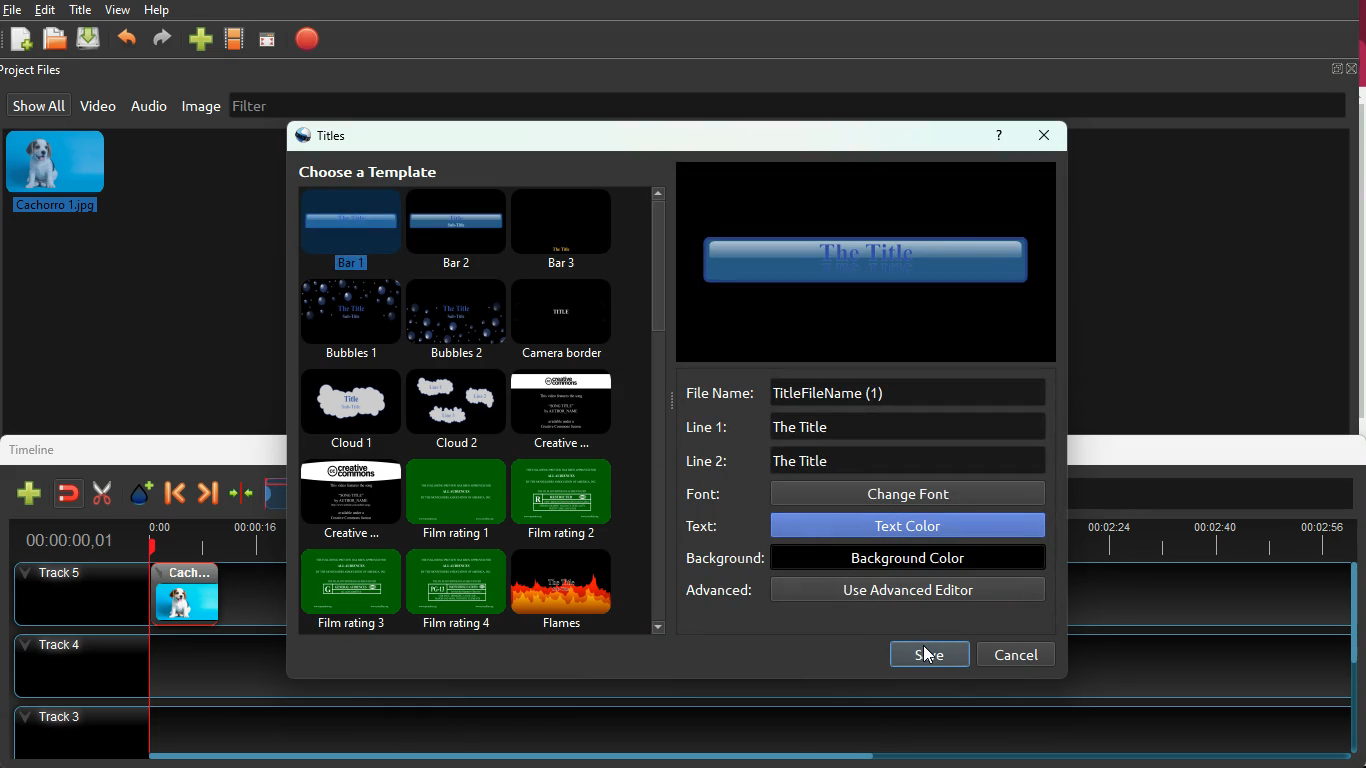 Image resolution: width=1366 pixels, height=768 pixels. What do you see at coordinates (352, 408) in the screenshot?
I see `cloud 1` at bounding box center [352, 408].